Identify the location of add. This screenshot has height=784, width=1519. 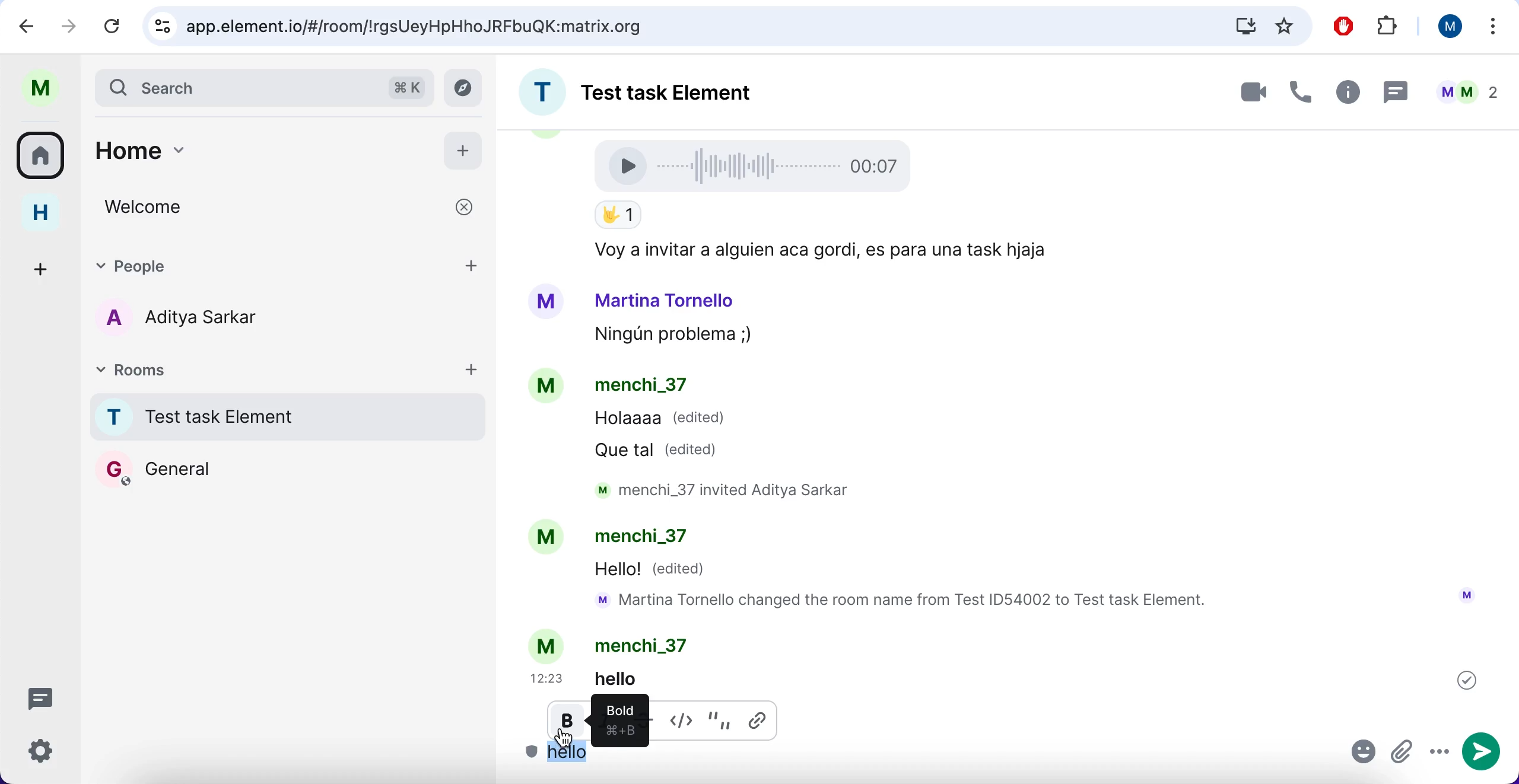
(463, 148).